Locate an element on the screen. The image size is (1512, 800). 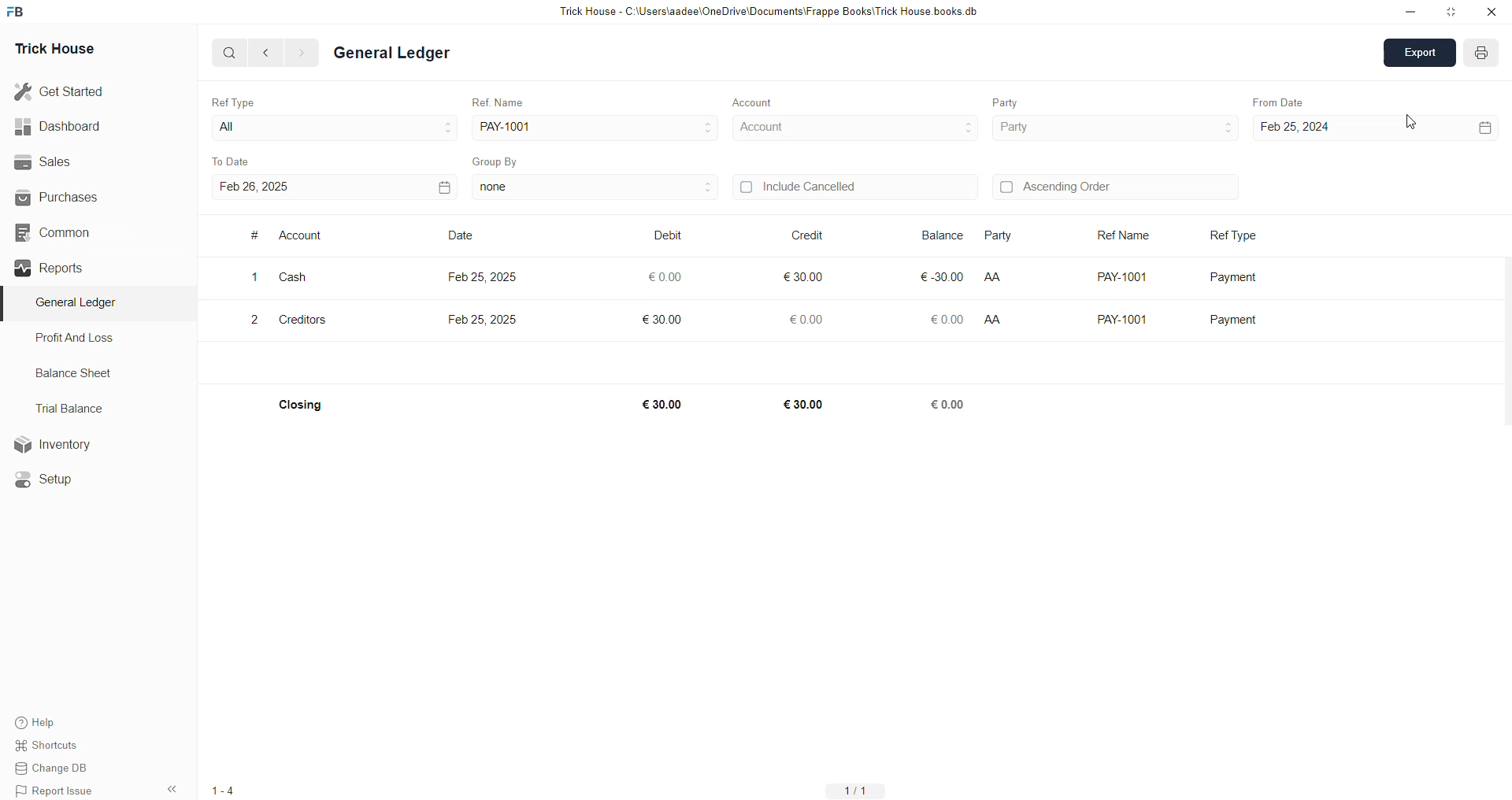
Include Cancelled is located at coordinates (858, 186).